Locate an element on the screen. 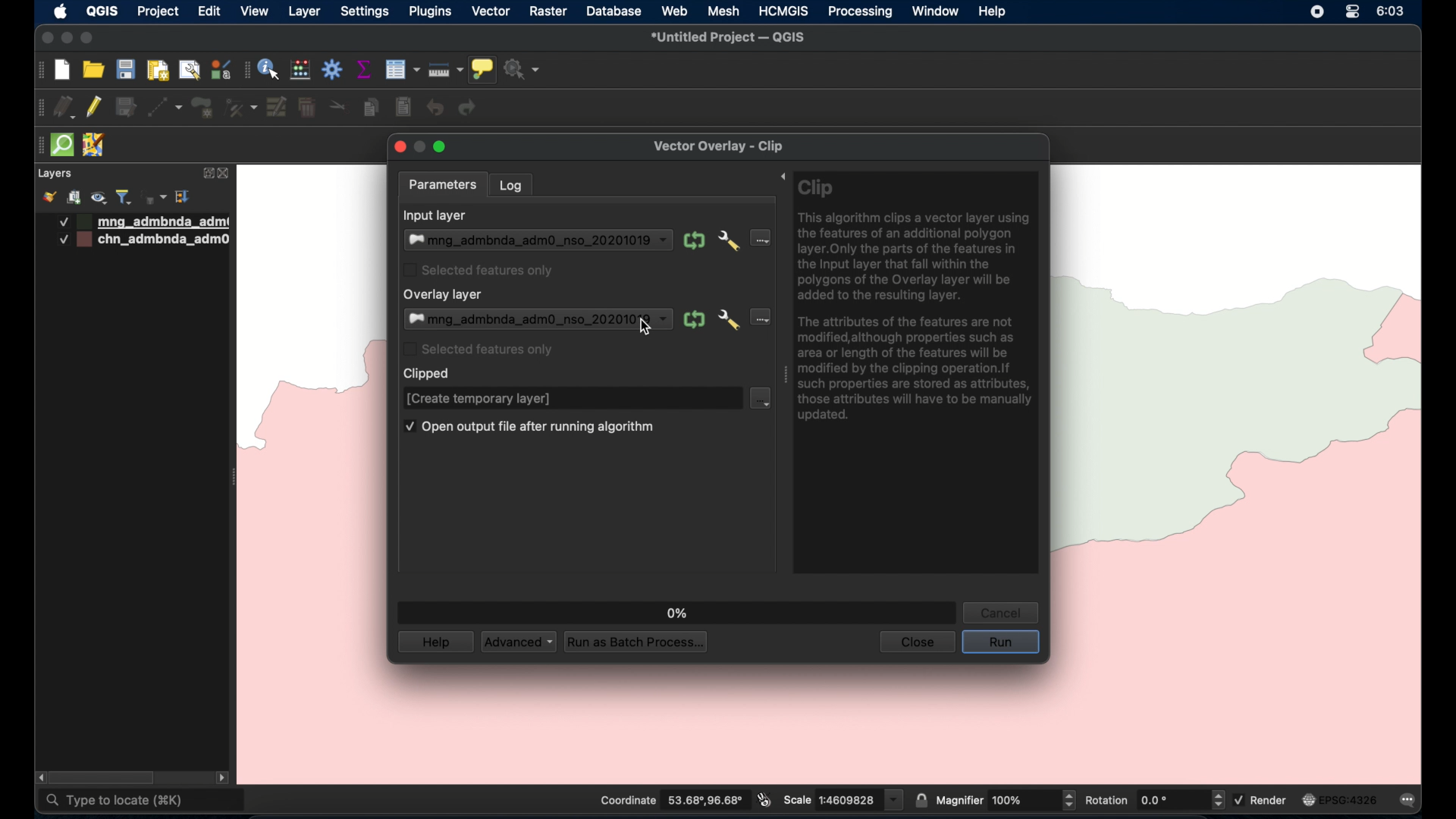 This screenshot has width=1456, height=819. attributes toolbar is located at coordinates (246, 71).